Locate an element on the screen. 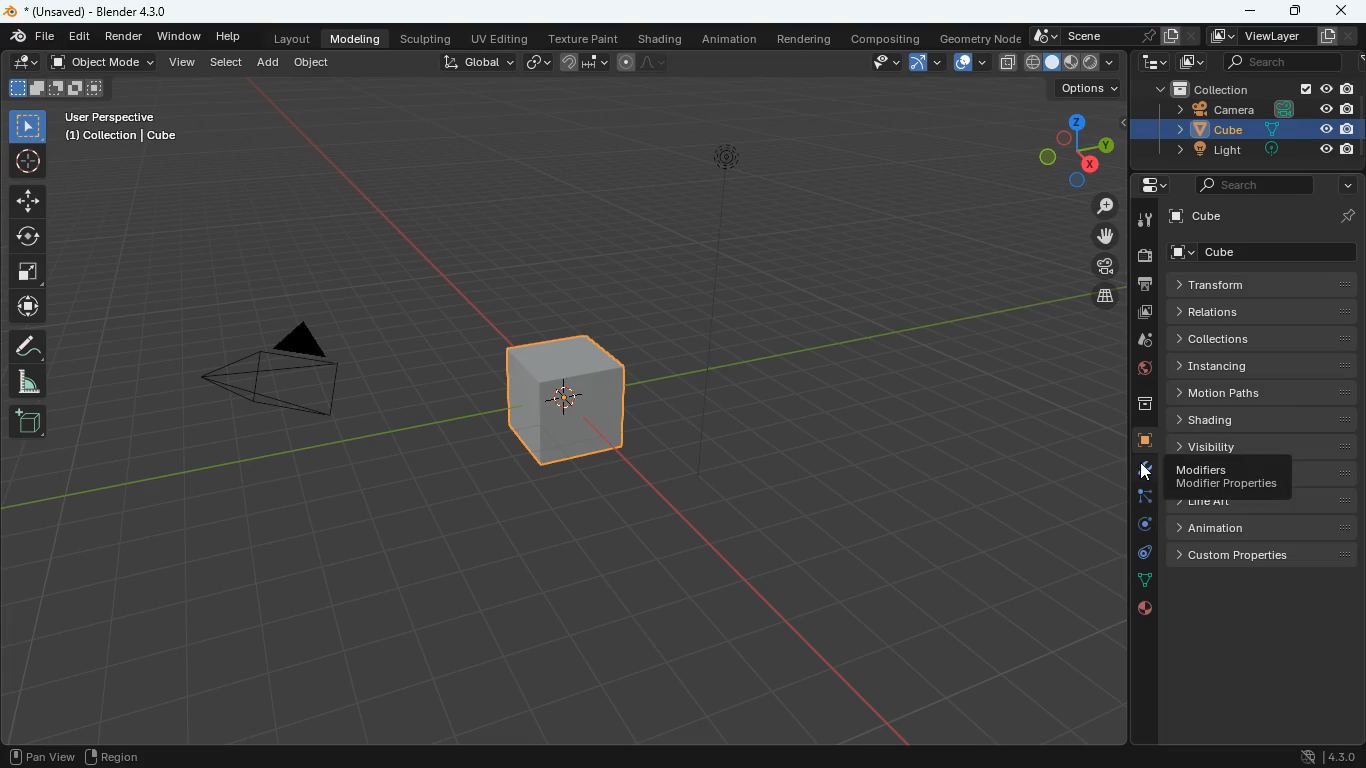   is located at coordinates (1347, 150).